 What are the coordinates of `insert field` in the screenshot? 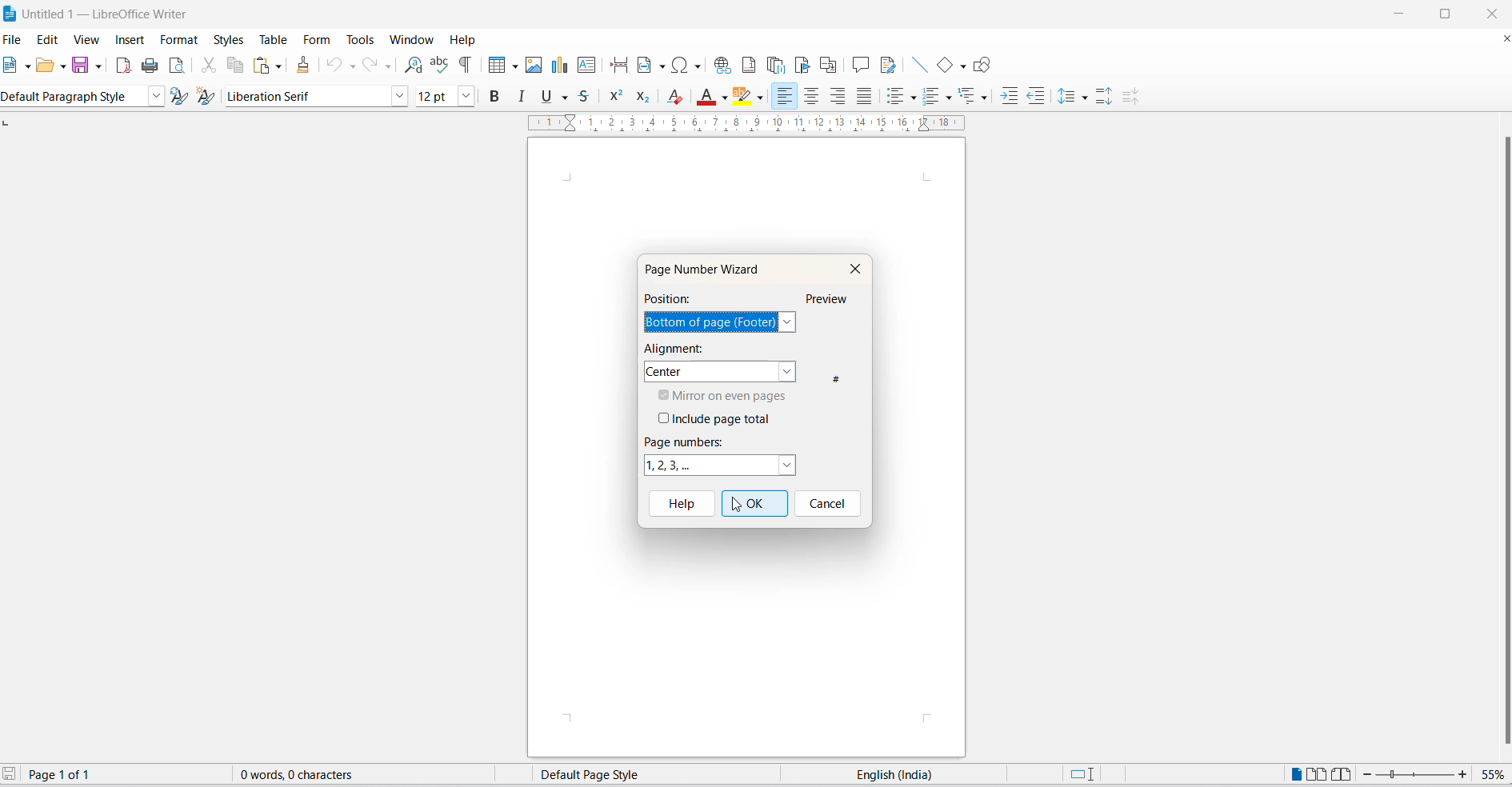 It's located at (650, 65).